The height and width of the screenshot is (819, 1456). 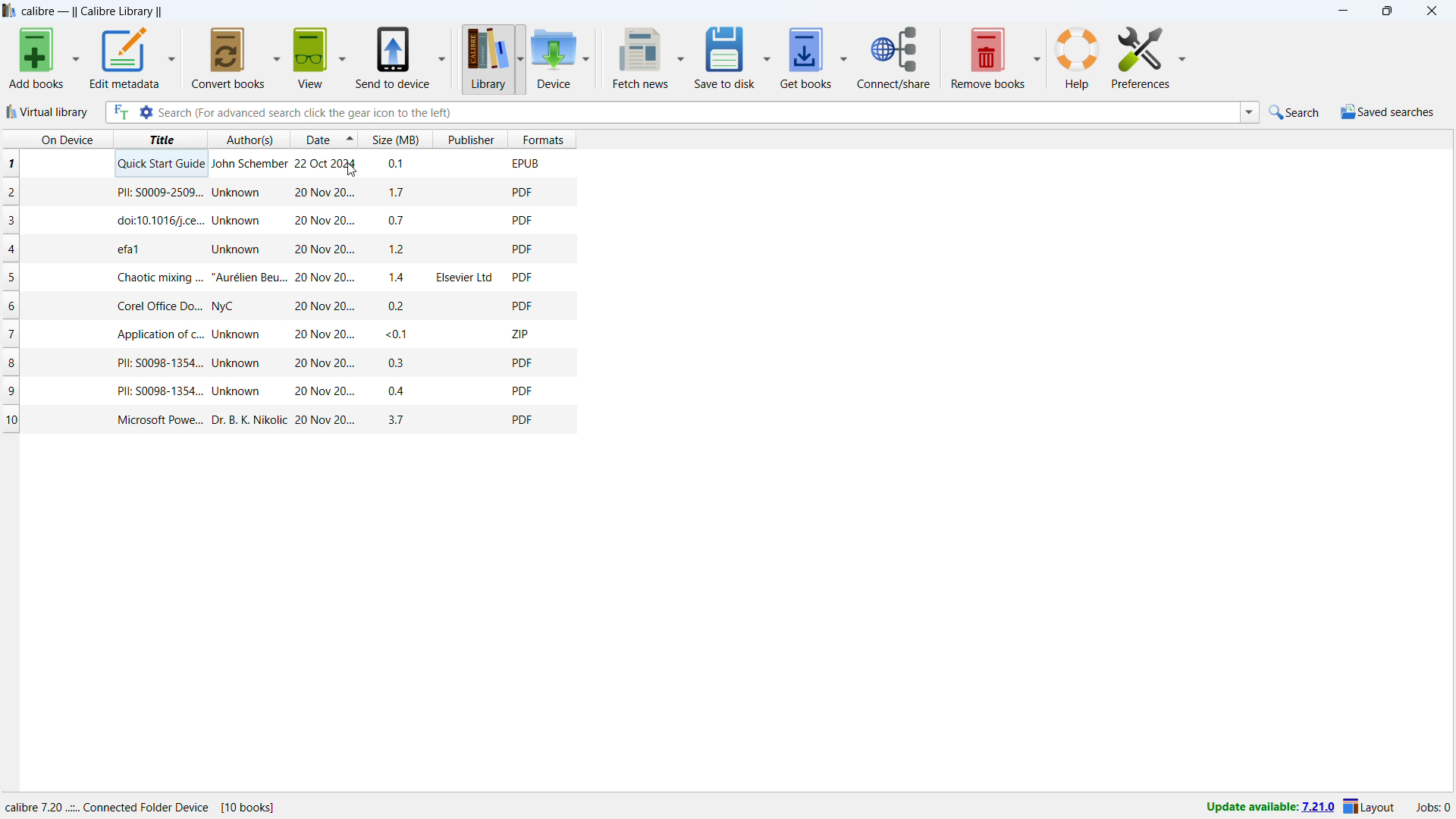 I want to click on one book entry, so click(x=290, y=391).